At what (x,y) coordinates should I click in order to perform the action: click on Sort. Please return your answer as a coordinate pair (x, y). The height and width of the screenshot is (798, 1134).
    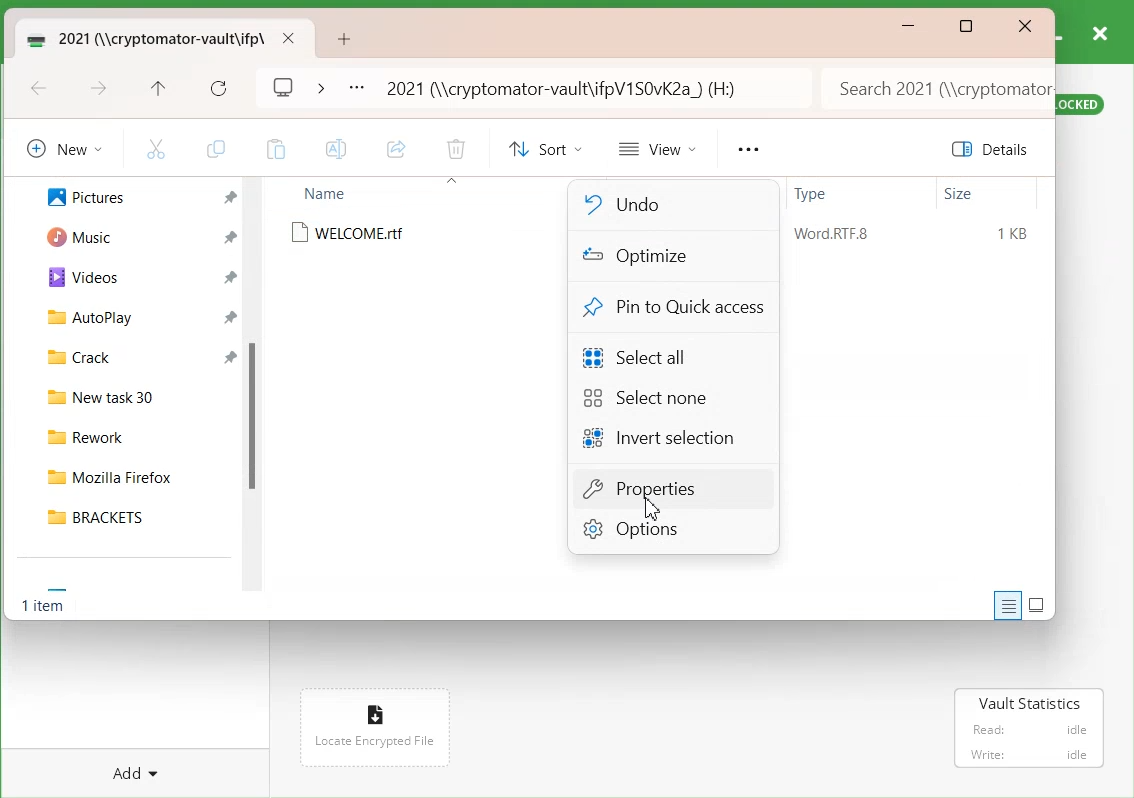
    Looking at the image, I should click on (542, 149).